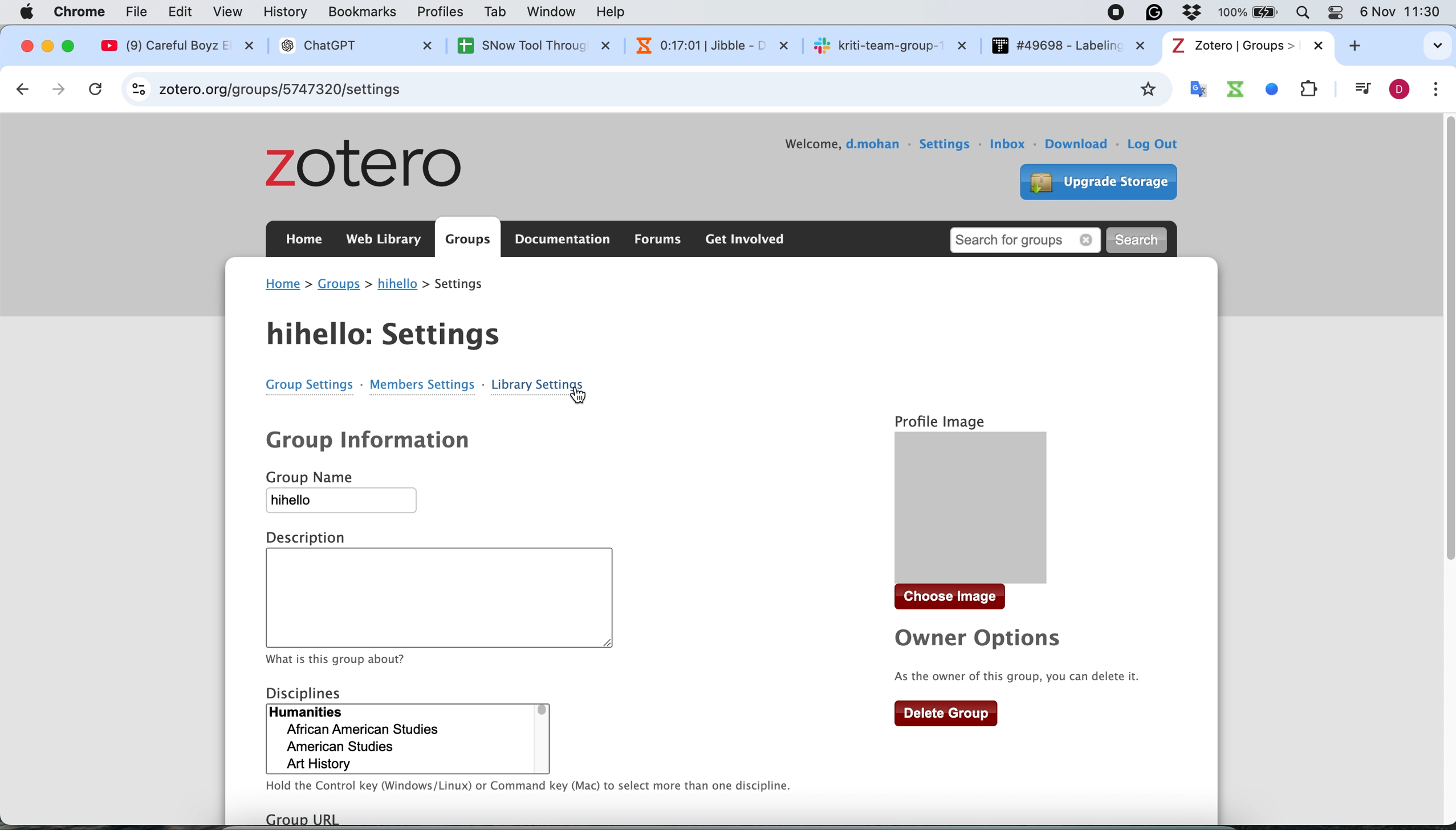 The height and width of the screenshot is (830, 1456). I want to click on home, so click(303, 242).